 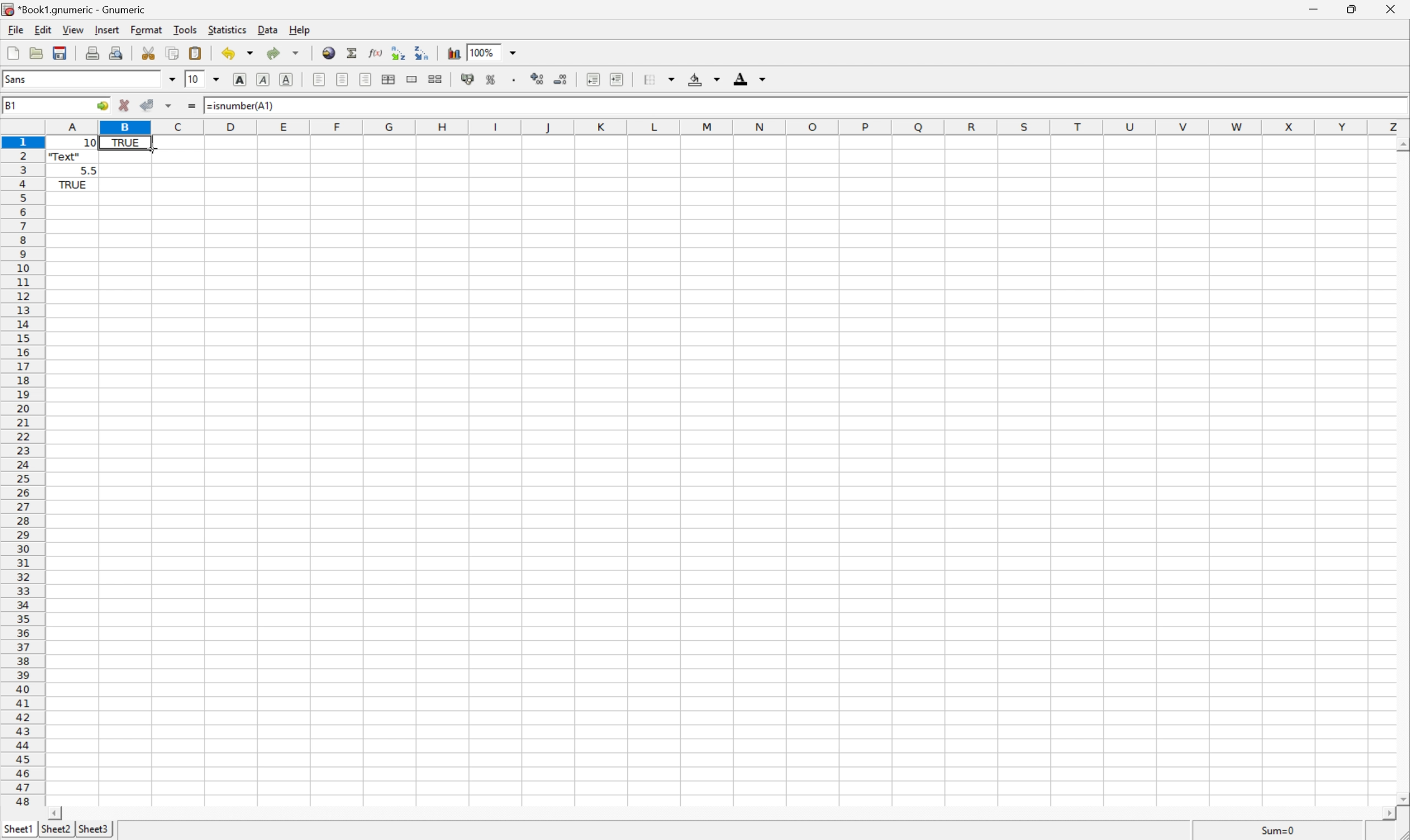 What do you see at coordinates (21, 473) in the screenshot?
I see `Row Numbers` at bounding box center [21, 473].